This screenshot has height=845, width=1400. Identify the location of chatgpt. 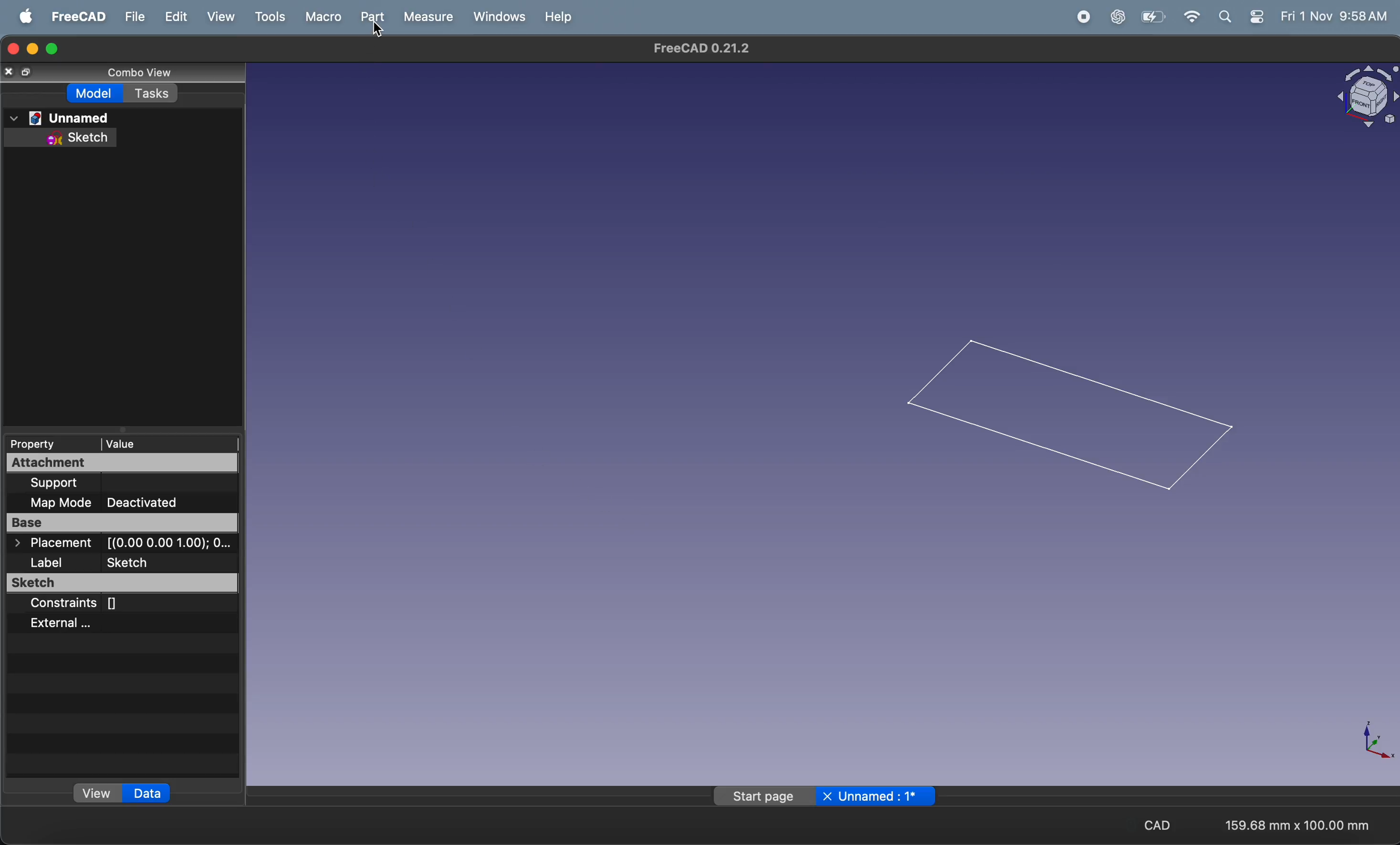
(1116, 16).